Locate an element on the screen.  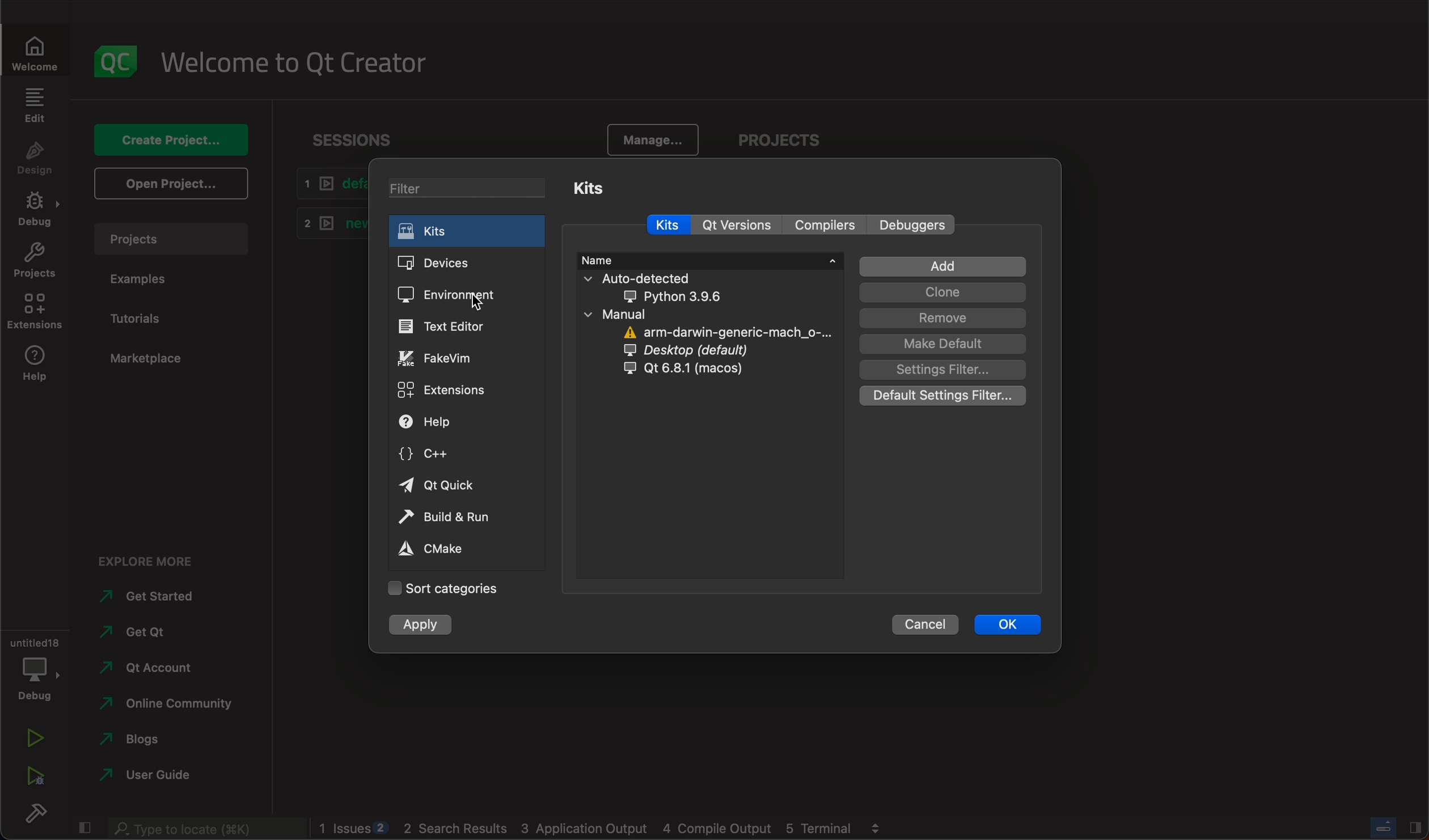
kits is located at coordinates (465, 233).